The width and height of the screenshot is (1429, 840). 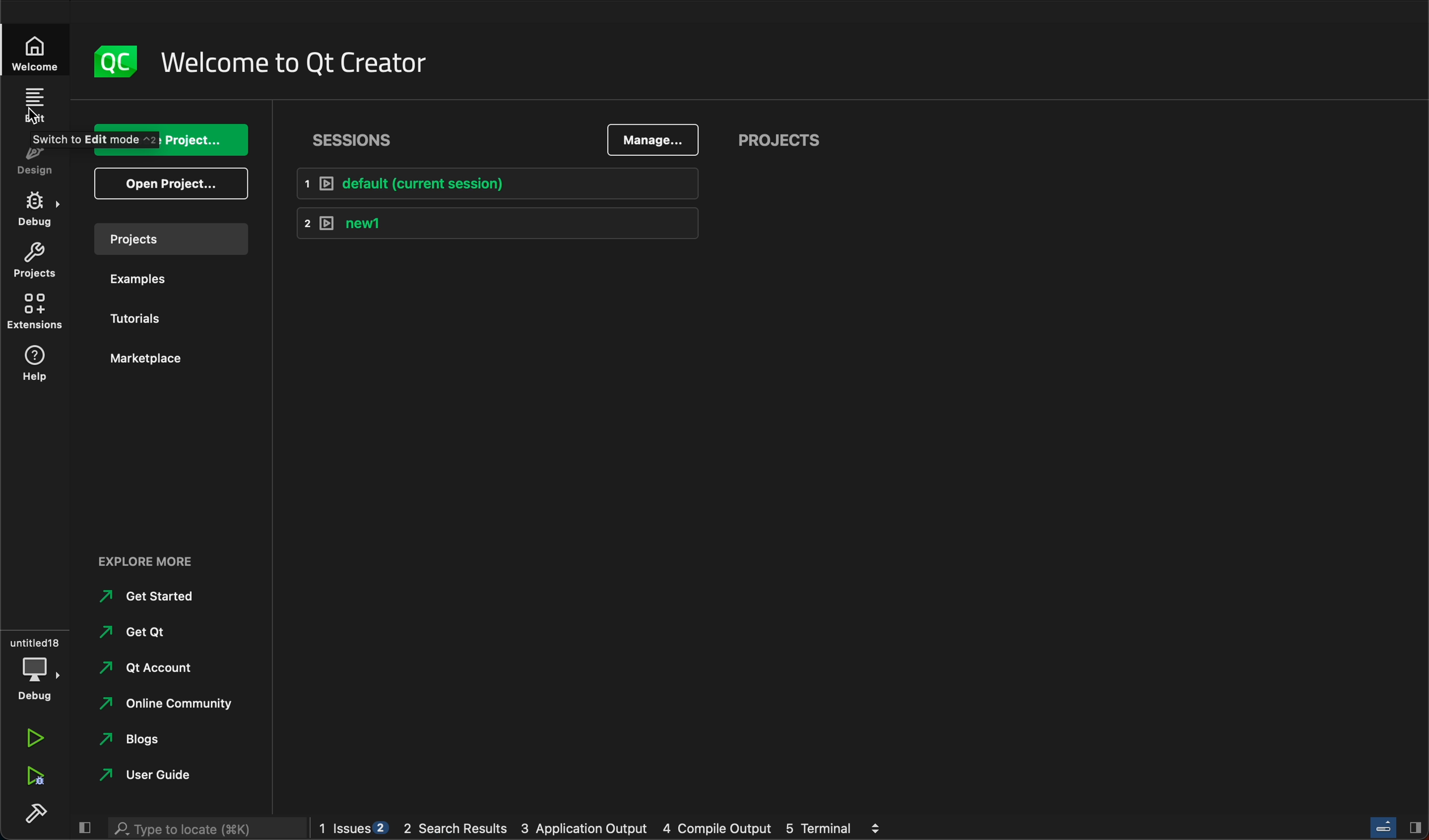 I want to click on tutorials, so click(x=146, y=317).